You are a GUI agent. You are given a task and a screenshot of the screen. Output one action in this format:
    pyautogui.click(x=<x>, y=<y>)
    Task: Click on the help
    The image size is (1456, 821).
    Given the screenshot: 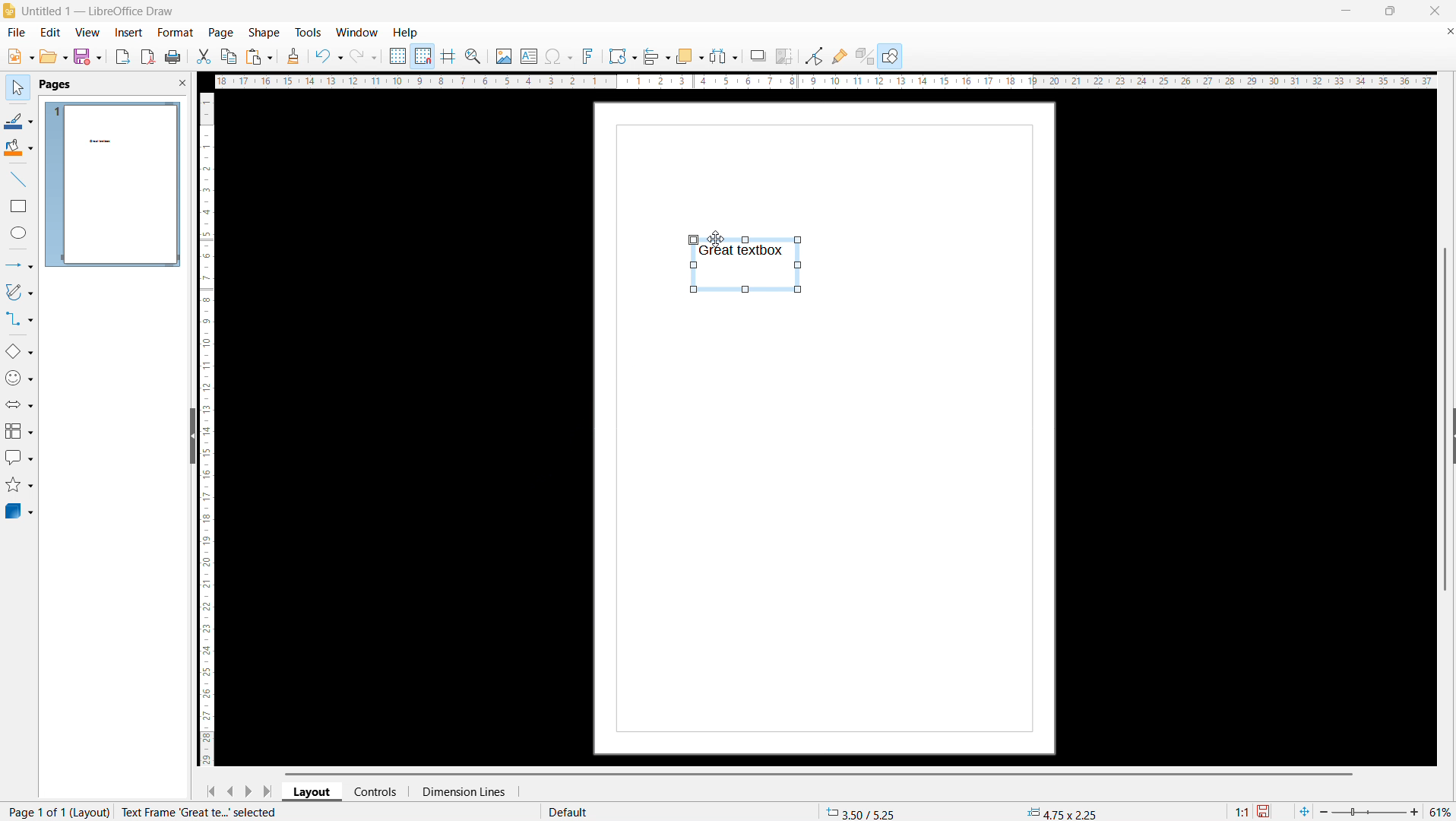 What is the action you would take?
    pyautogui.click(x=406, y=33)
    